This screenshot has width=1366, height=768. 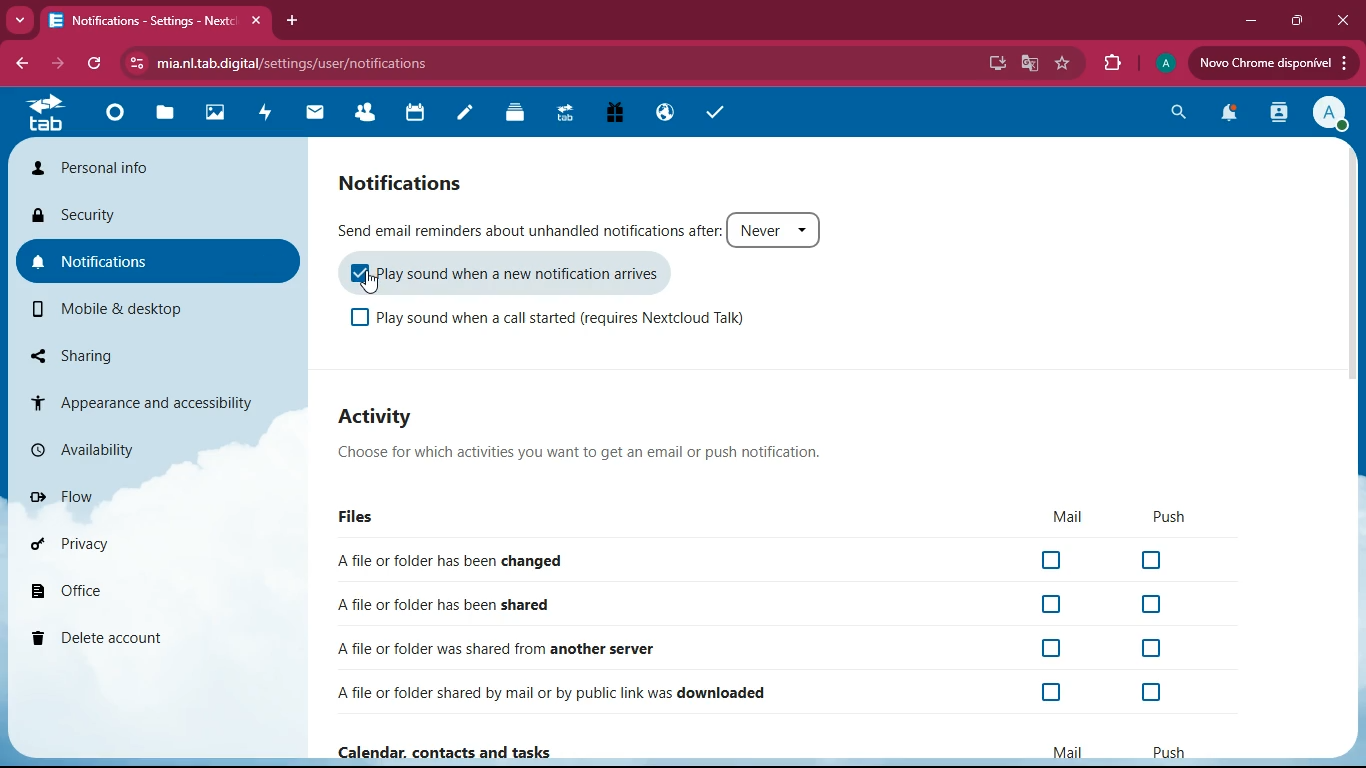 What do you see at coordinates (171, 112) in the screenshot?
I see `files` at bounding box center [171, 112].